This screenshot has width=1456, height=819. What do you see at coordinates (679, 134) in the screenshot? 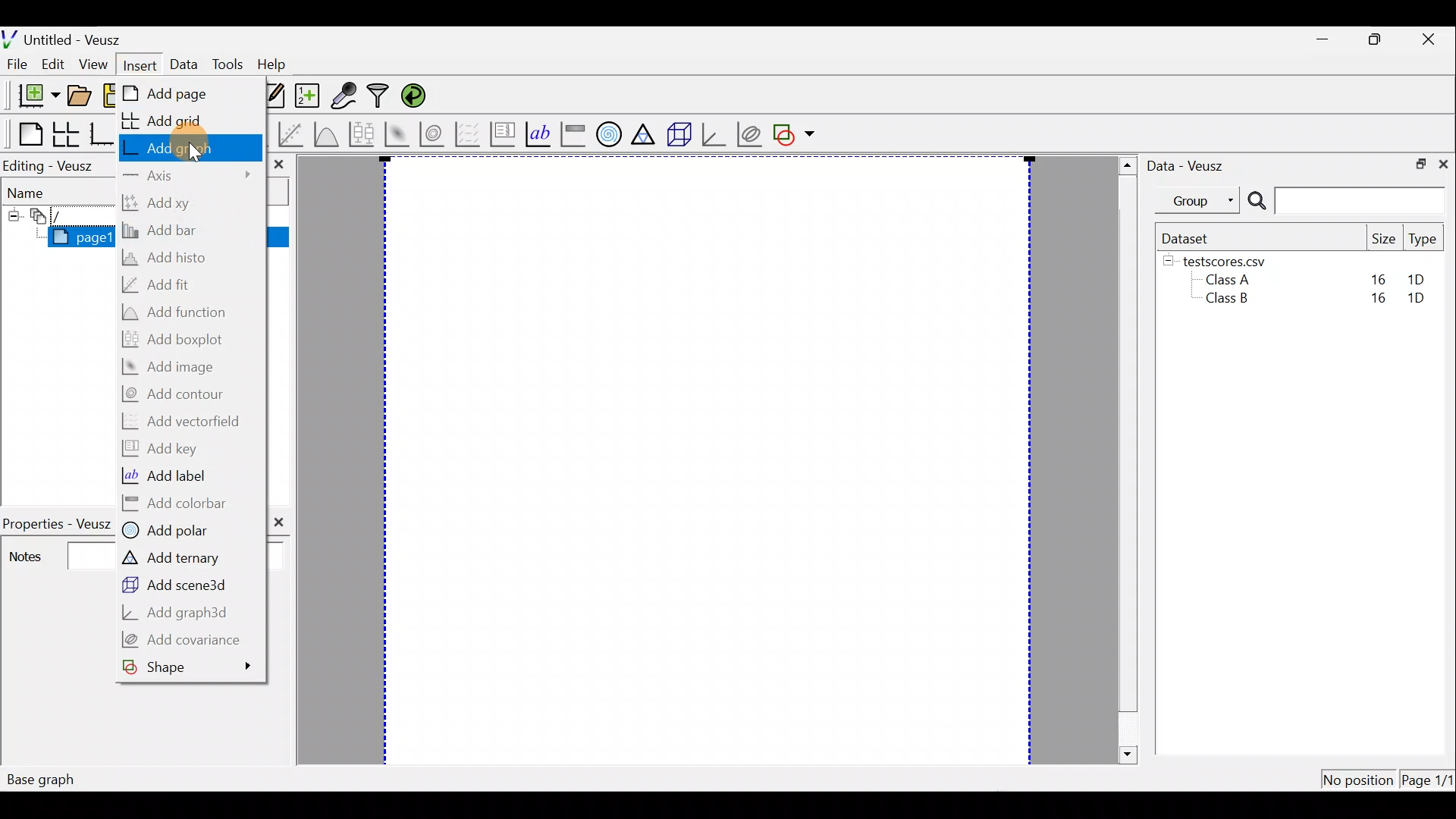
I see `3d scene` at bounding box center [679, 134].